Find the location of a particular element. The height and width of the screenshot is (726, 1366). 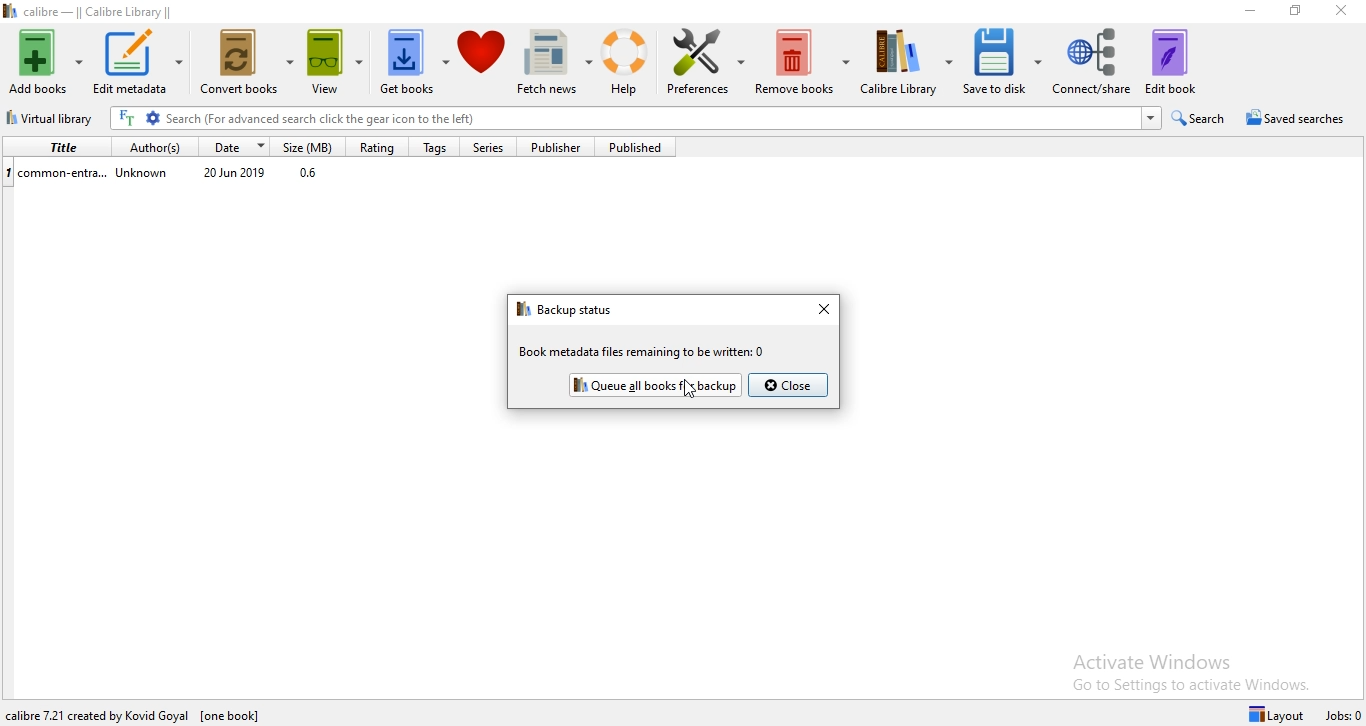

Edit book is located at coordinates (1181, 60).